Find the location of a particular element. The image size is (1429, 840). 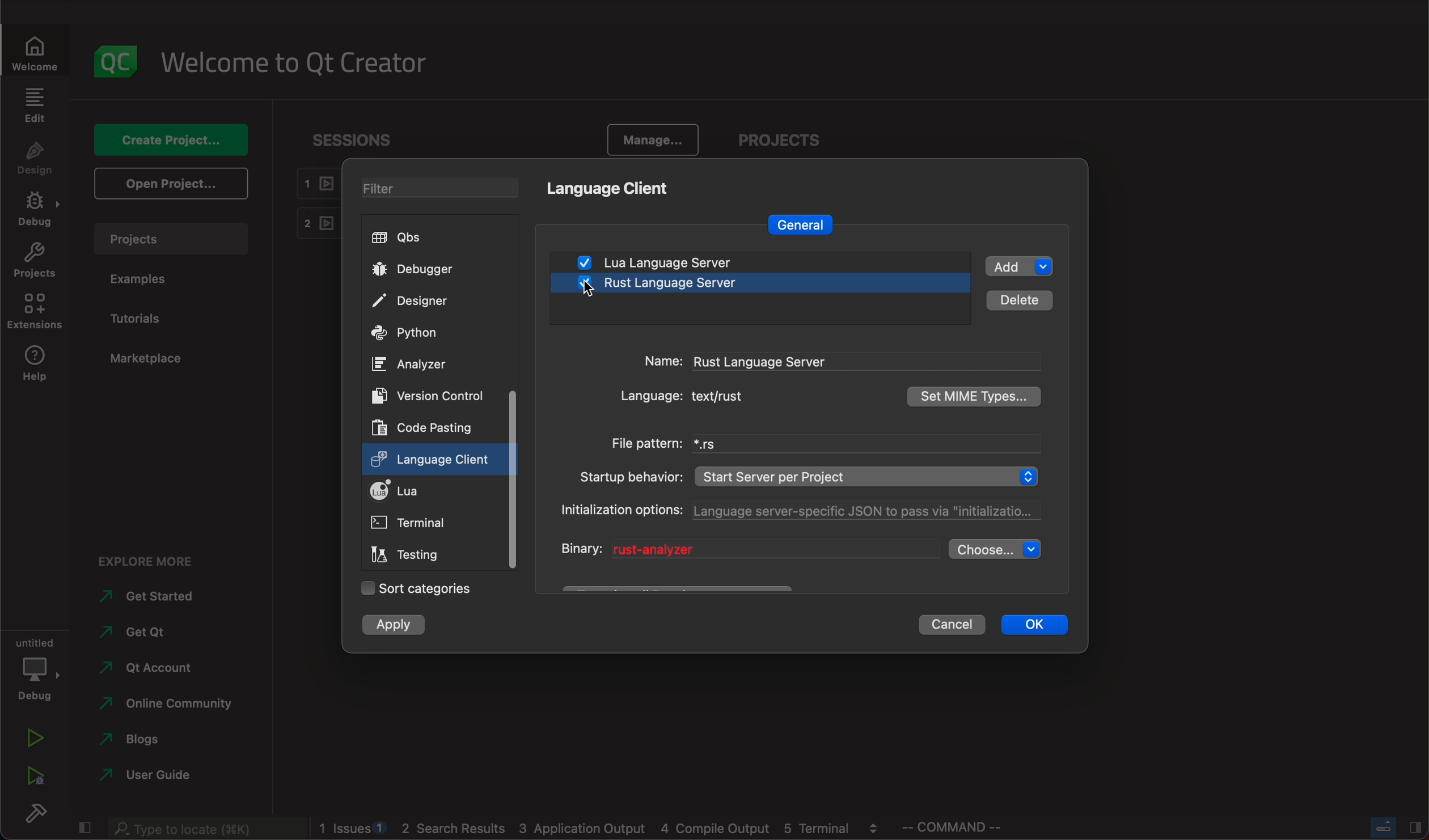

command is located at coordinates (961, 827).